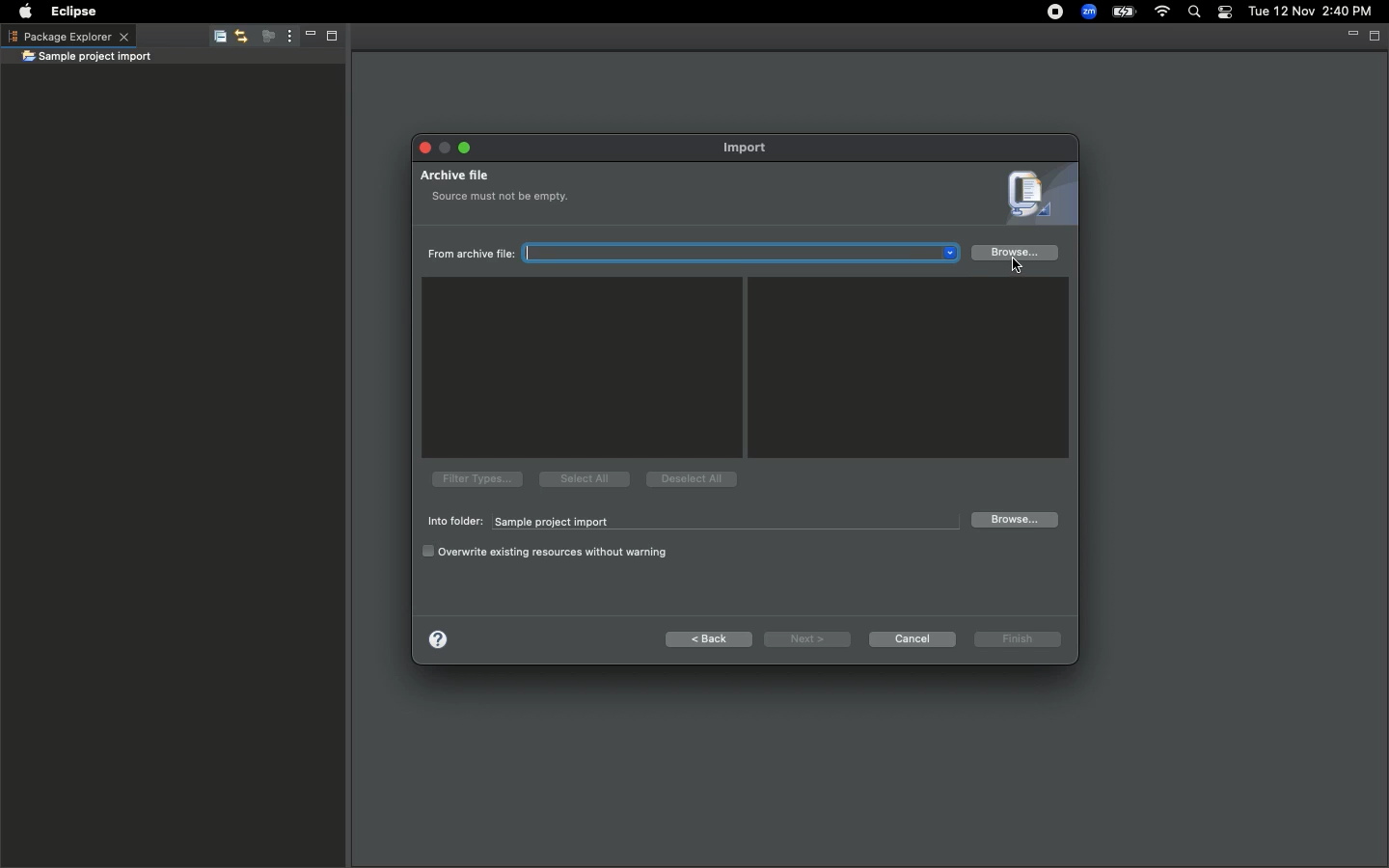 This screenshot has width=1389, height=868. Describe the element at coordinates (464, 146) in the screenshot. I see `maximize` at that location.